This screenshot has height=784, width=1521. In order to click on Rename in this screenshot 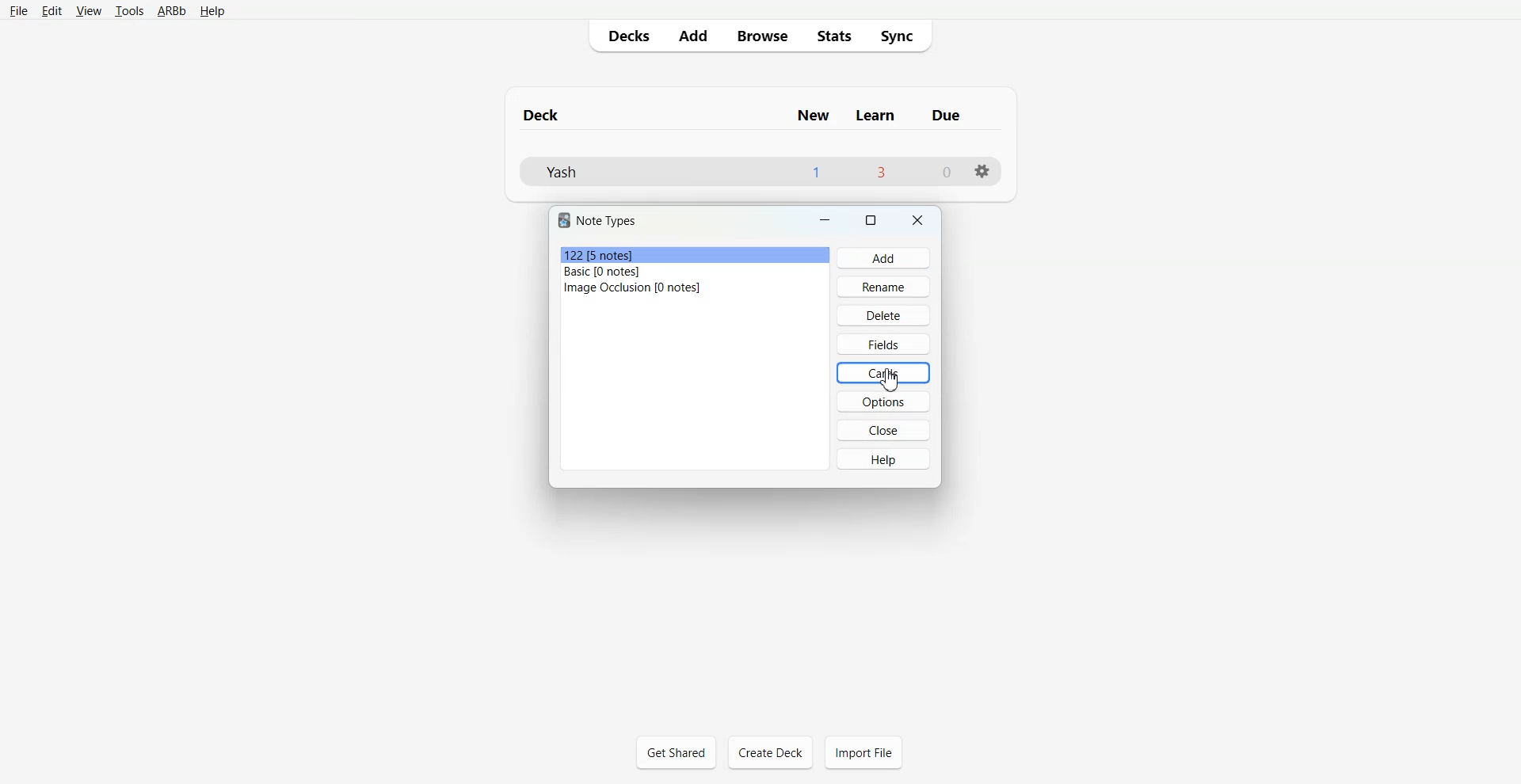, I will do `click(883, 286)`.